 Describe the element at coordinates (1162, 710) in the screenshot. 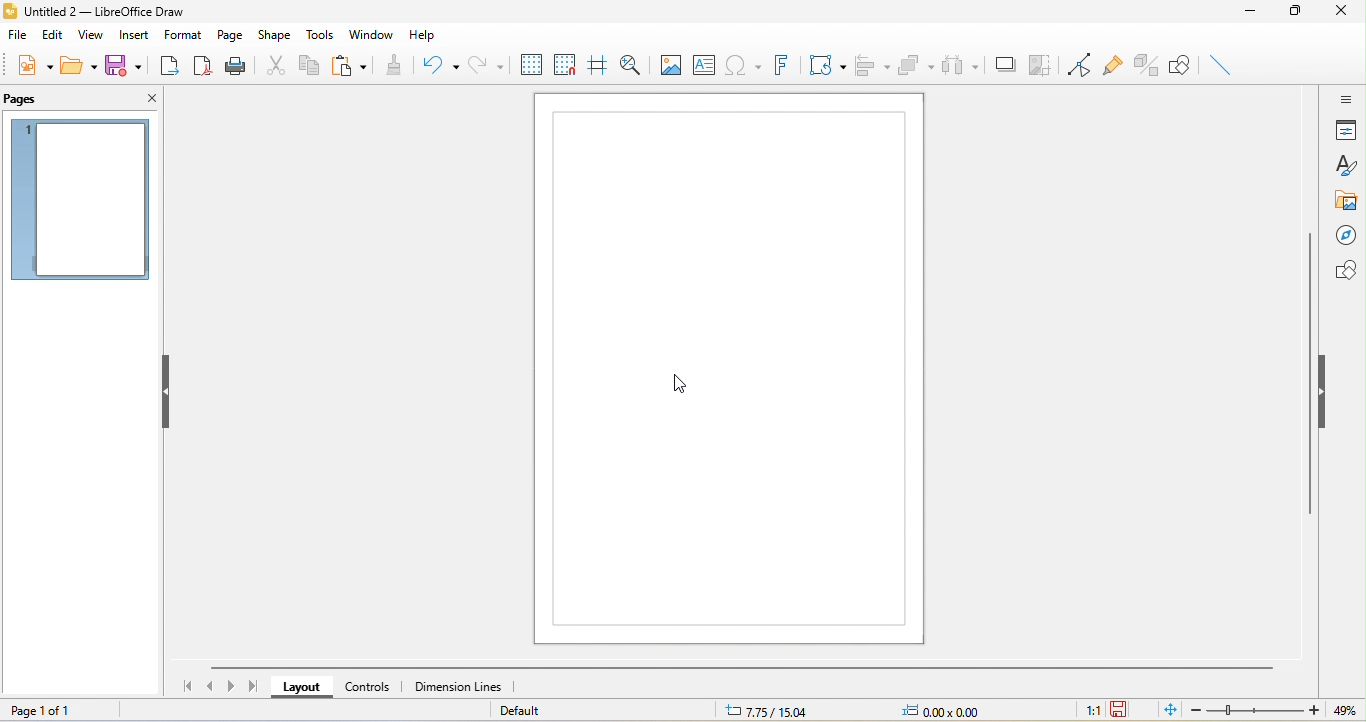

I see `fit to the current page` at that location.